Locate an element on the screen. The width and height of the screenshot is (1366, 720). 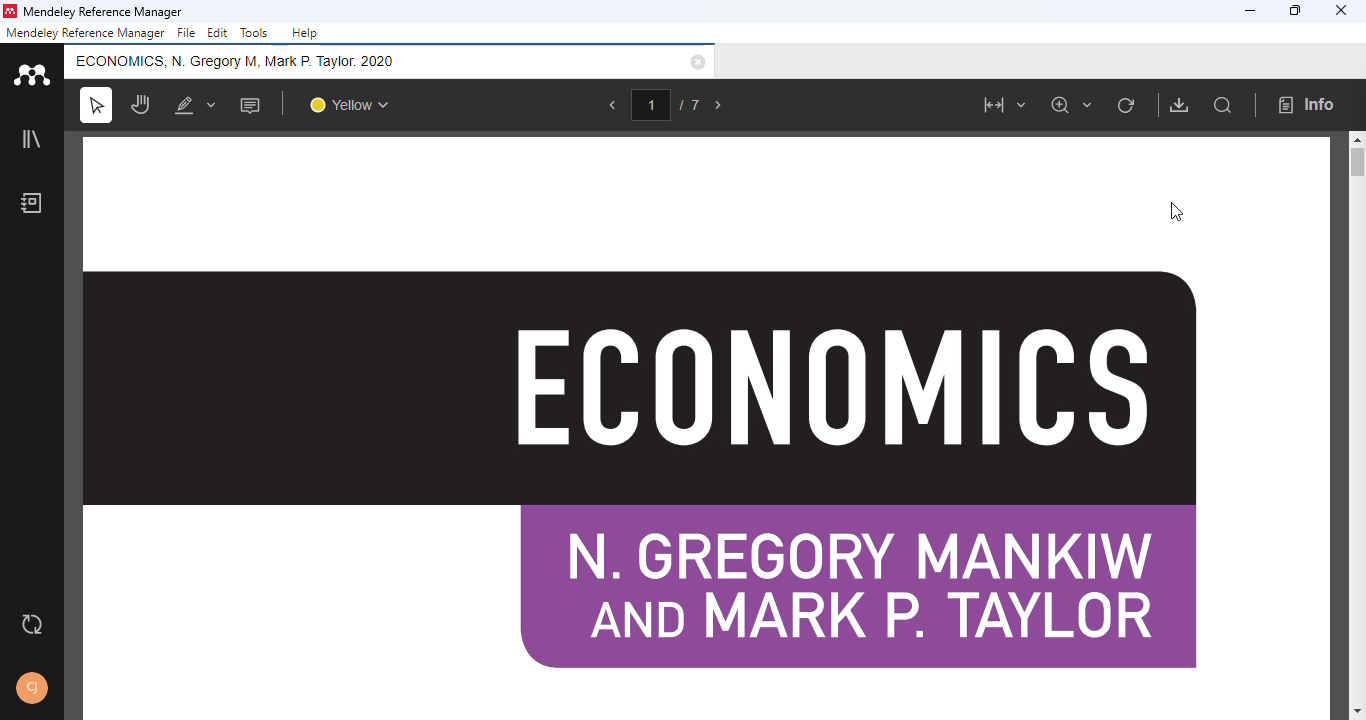
library is located at coordinates (30, 139).